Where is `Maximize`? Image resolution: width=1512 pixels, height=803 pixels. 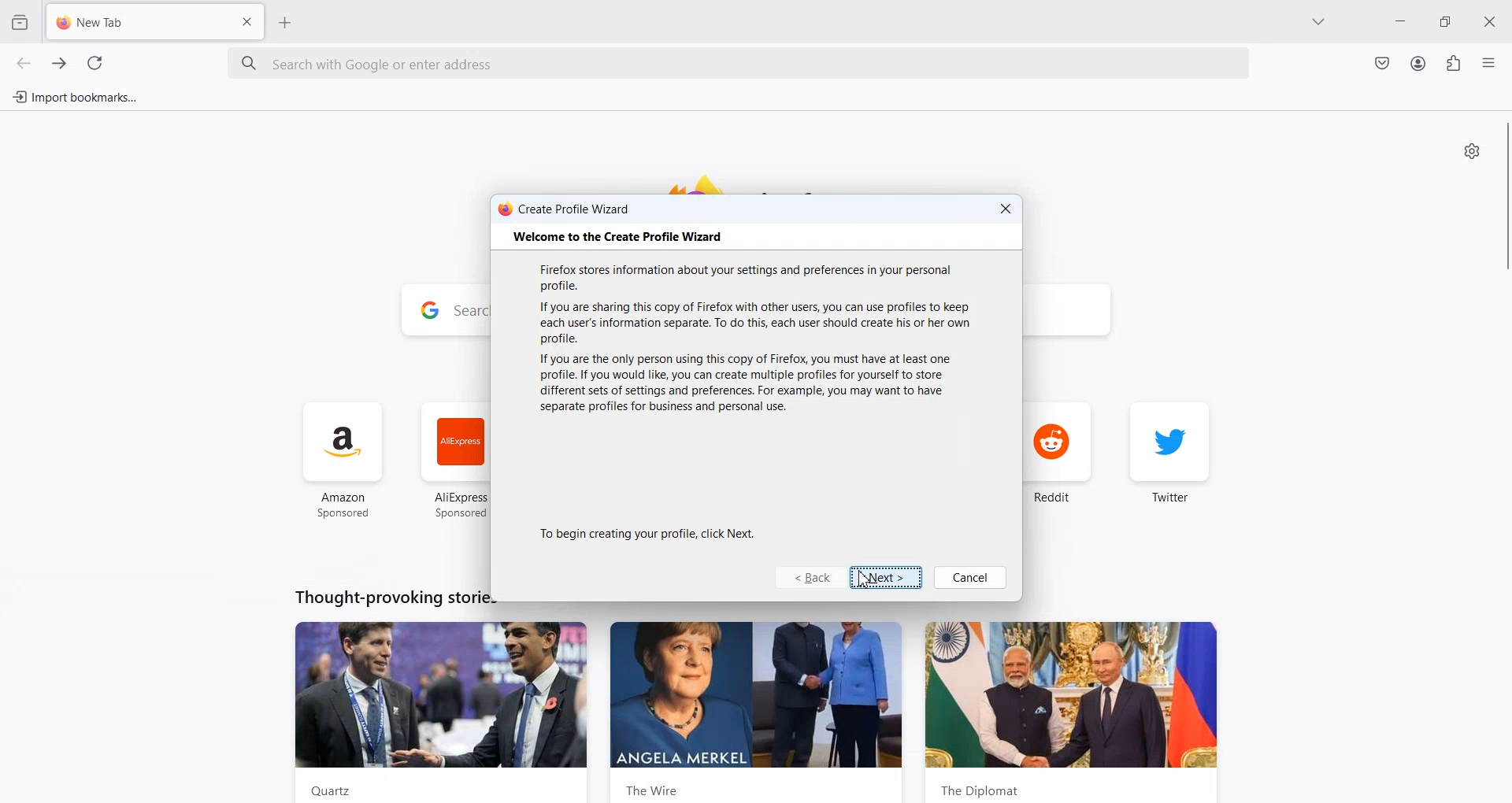
Maximize is located at coordinates (1448, 22).